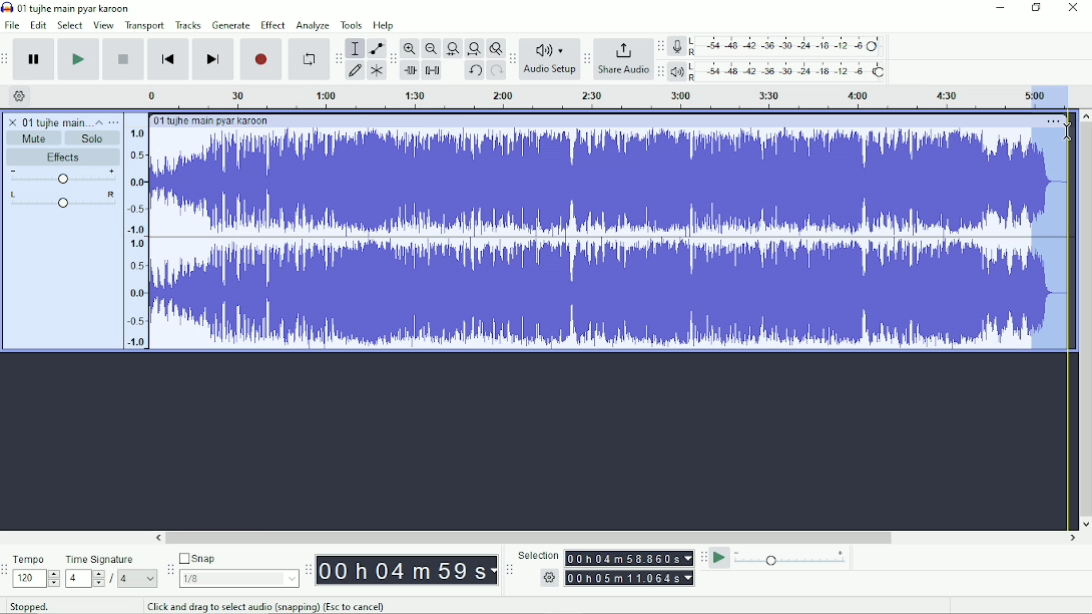 The width and height of the screenshot is (1092, 614). Describe the element at coordinates (140, 578) in the screenshot. I see `4` at that location.